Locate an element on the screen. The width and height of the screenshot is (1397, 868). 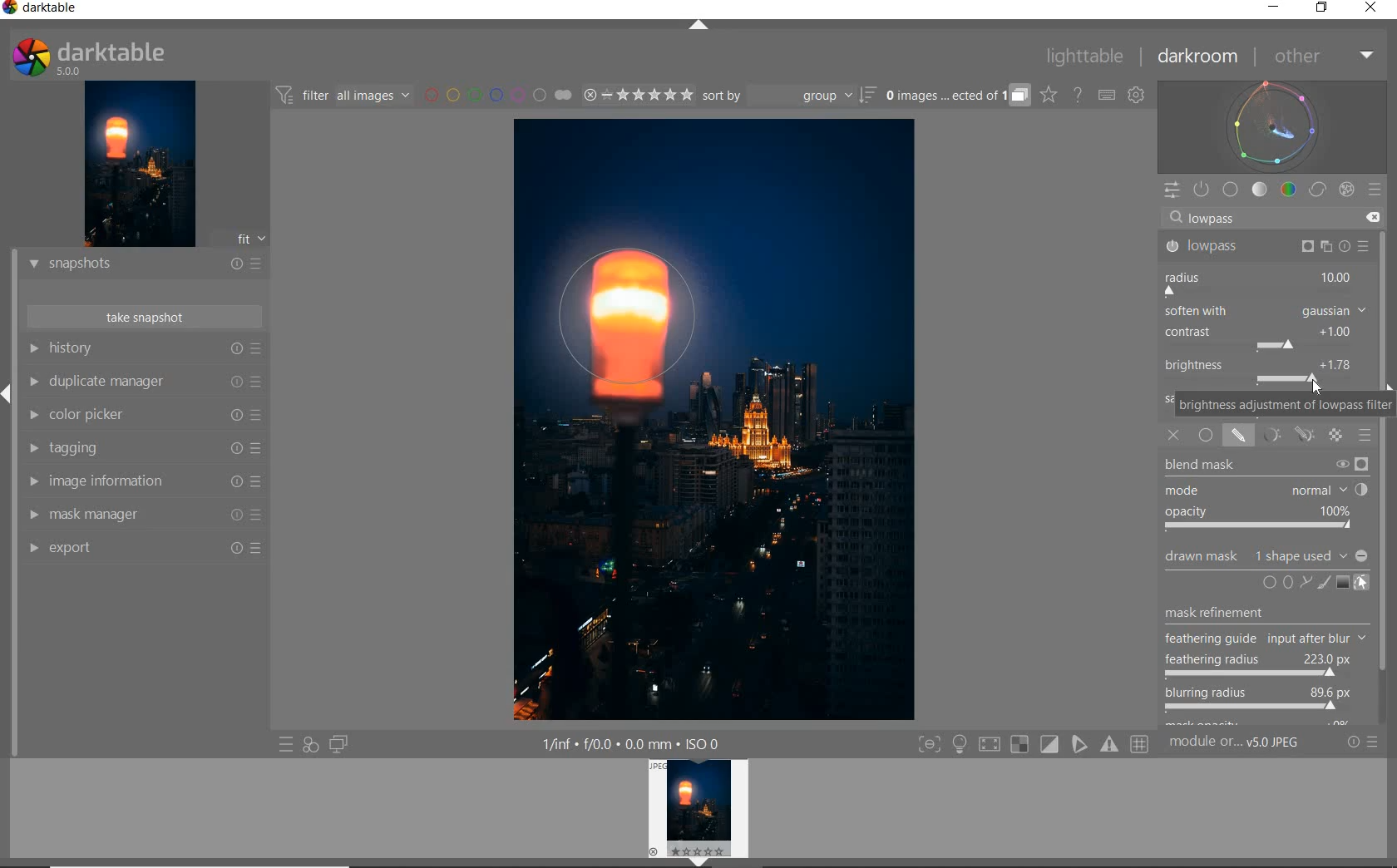
DISPLAYED GUI INFO is located at coordinates (632, 742).